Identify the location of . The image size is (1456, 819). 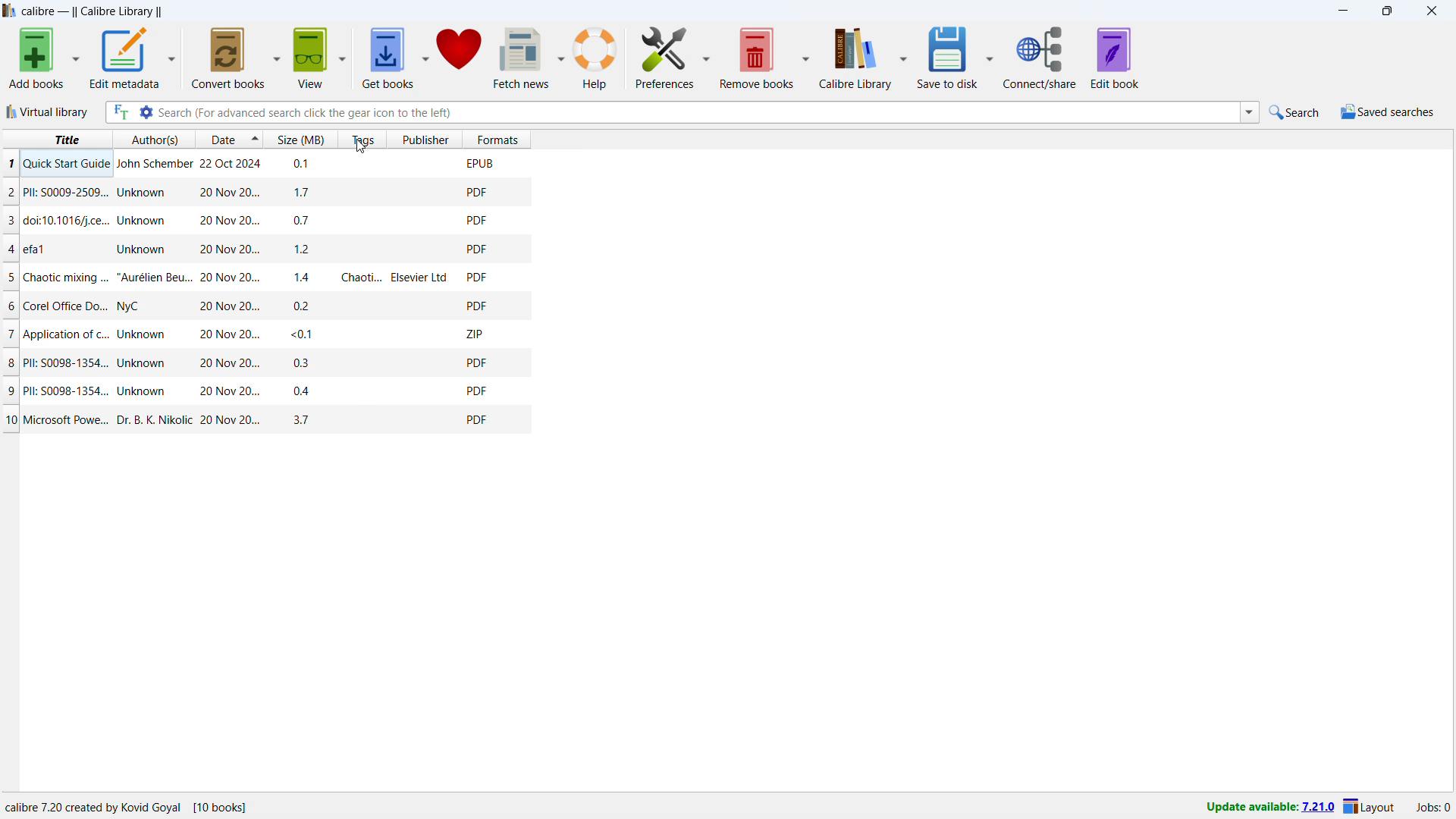
(856, 58).